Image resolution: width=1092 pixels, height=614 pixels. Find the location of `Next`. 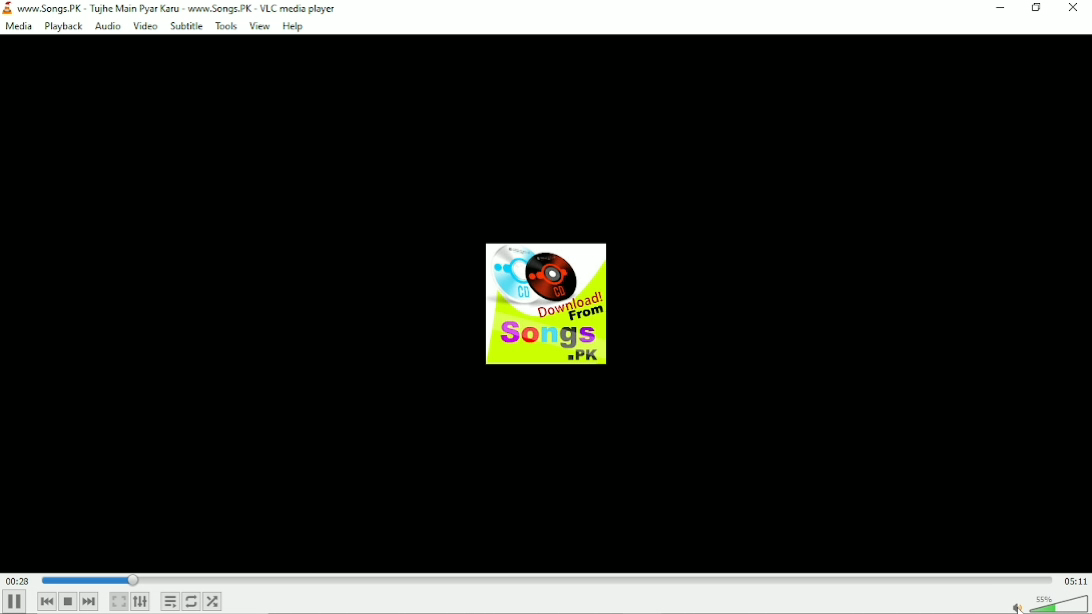

Next is located at coordinates (89, 602).